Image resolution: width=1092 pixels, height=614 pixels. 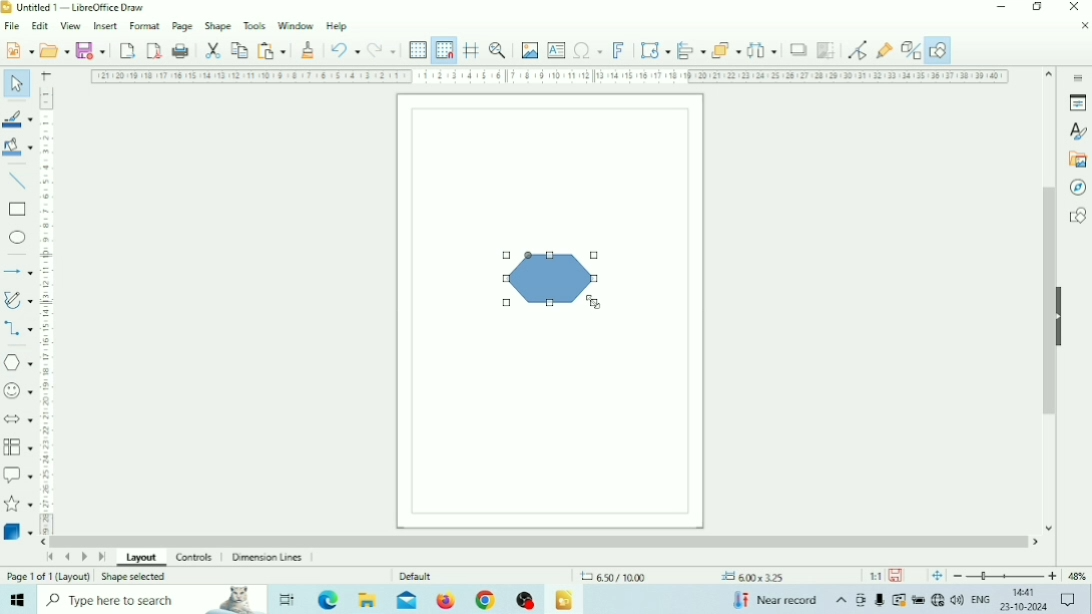 What do you see at coordinates (880, 600) in the screenshot?
I see `Mic` at bounding box center [880, 600].